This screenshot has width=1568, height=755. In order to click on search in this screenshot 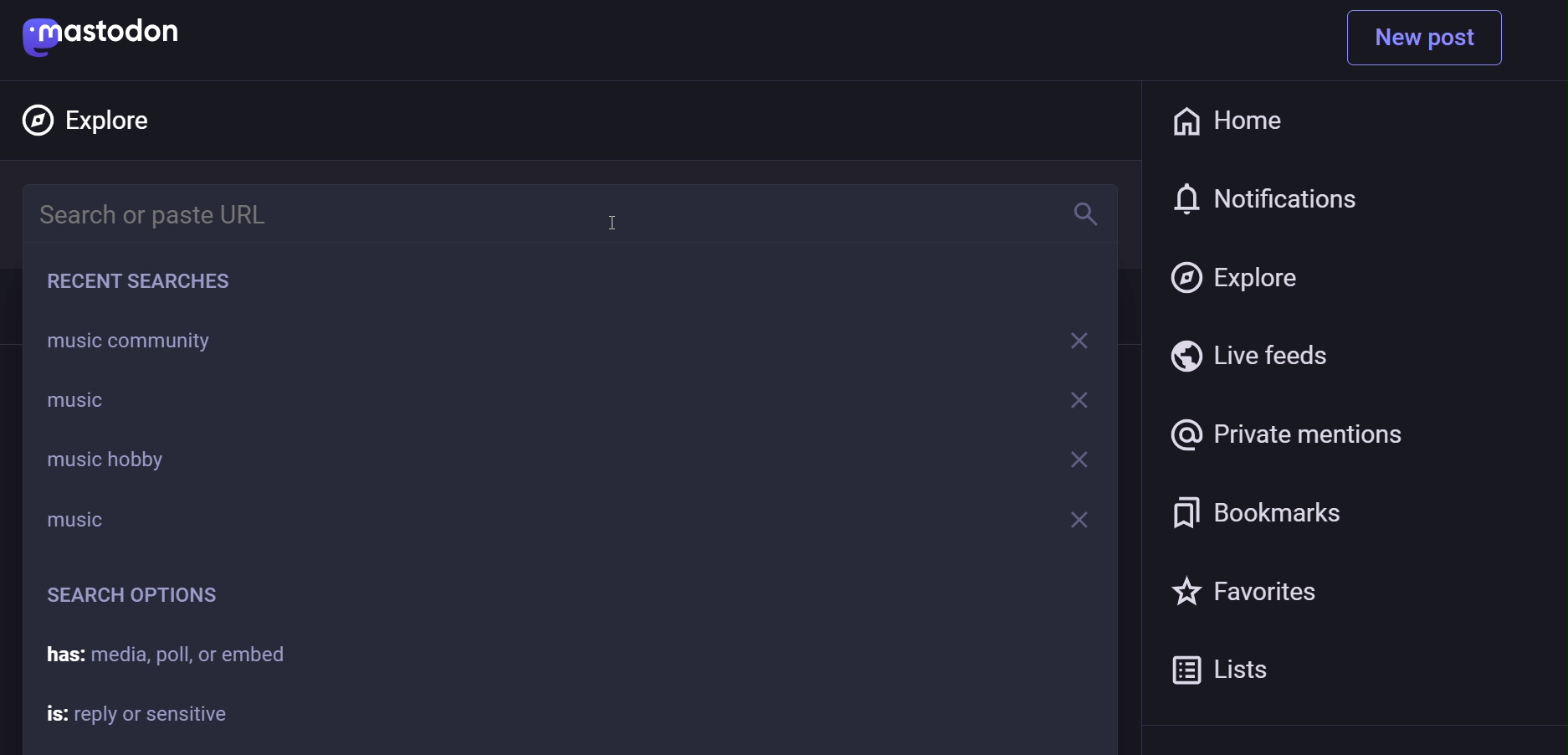, I will do `click(1082, 215)`.